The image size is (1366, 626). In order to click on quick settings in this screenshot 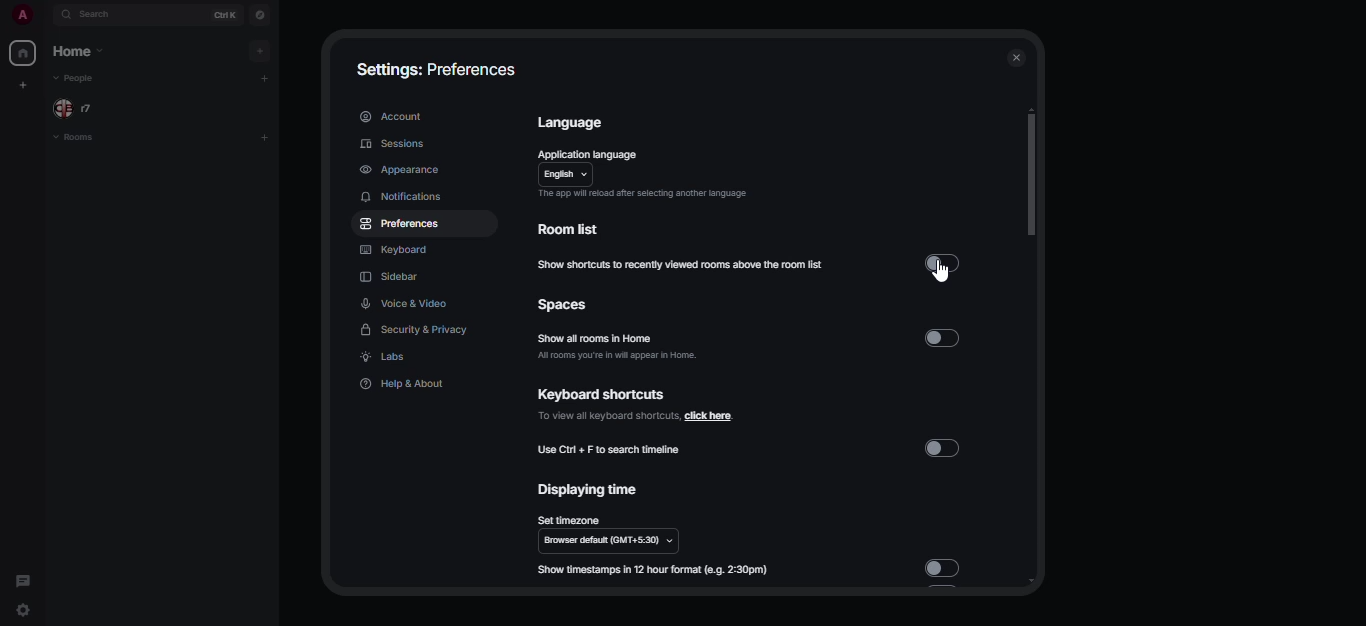, I will do `click(24, 612)`.